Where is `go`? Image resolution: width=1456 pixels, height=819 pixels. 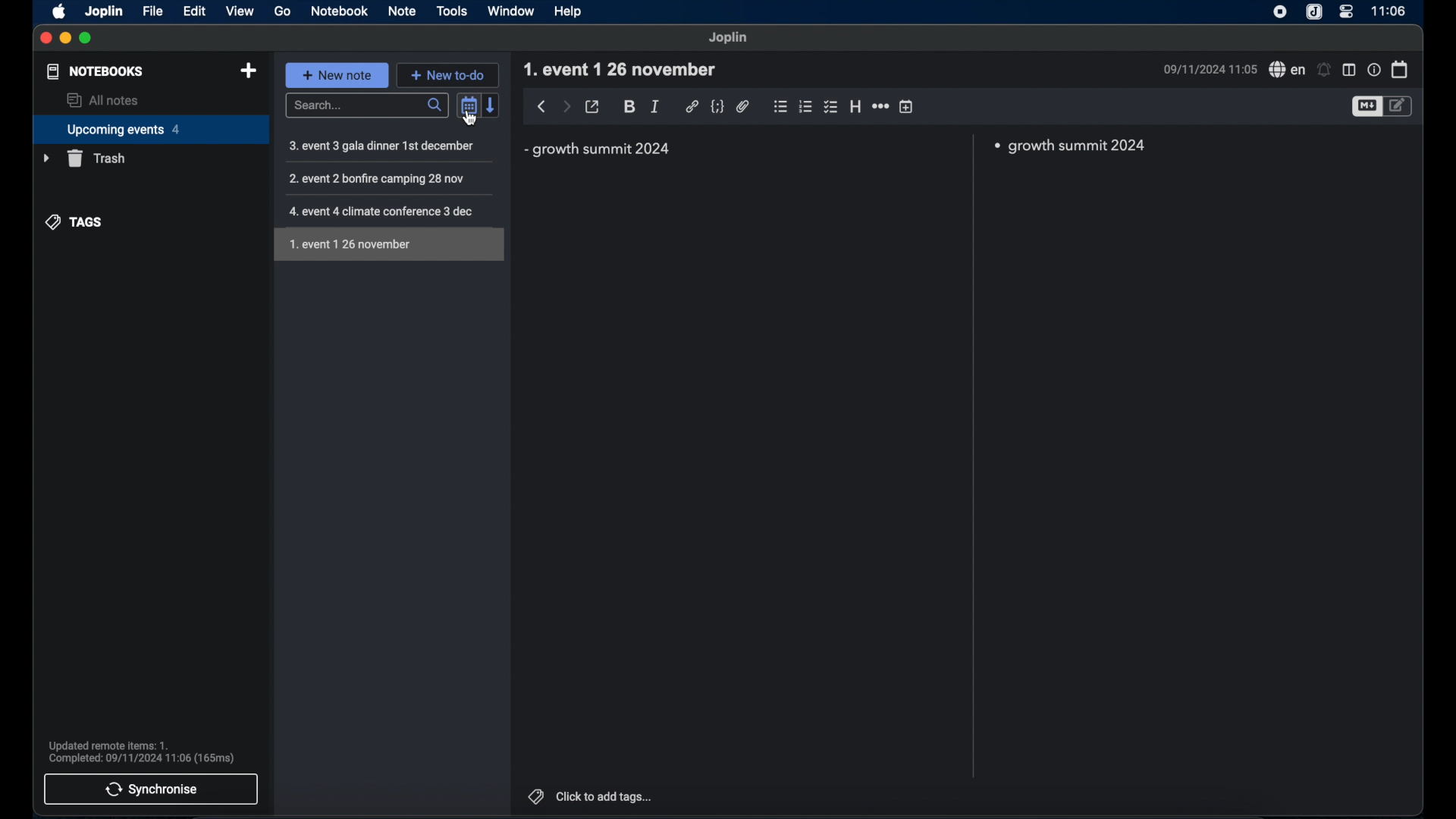
go is located at coordinates (283, 13).